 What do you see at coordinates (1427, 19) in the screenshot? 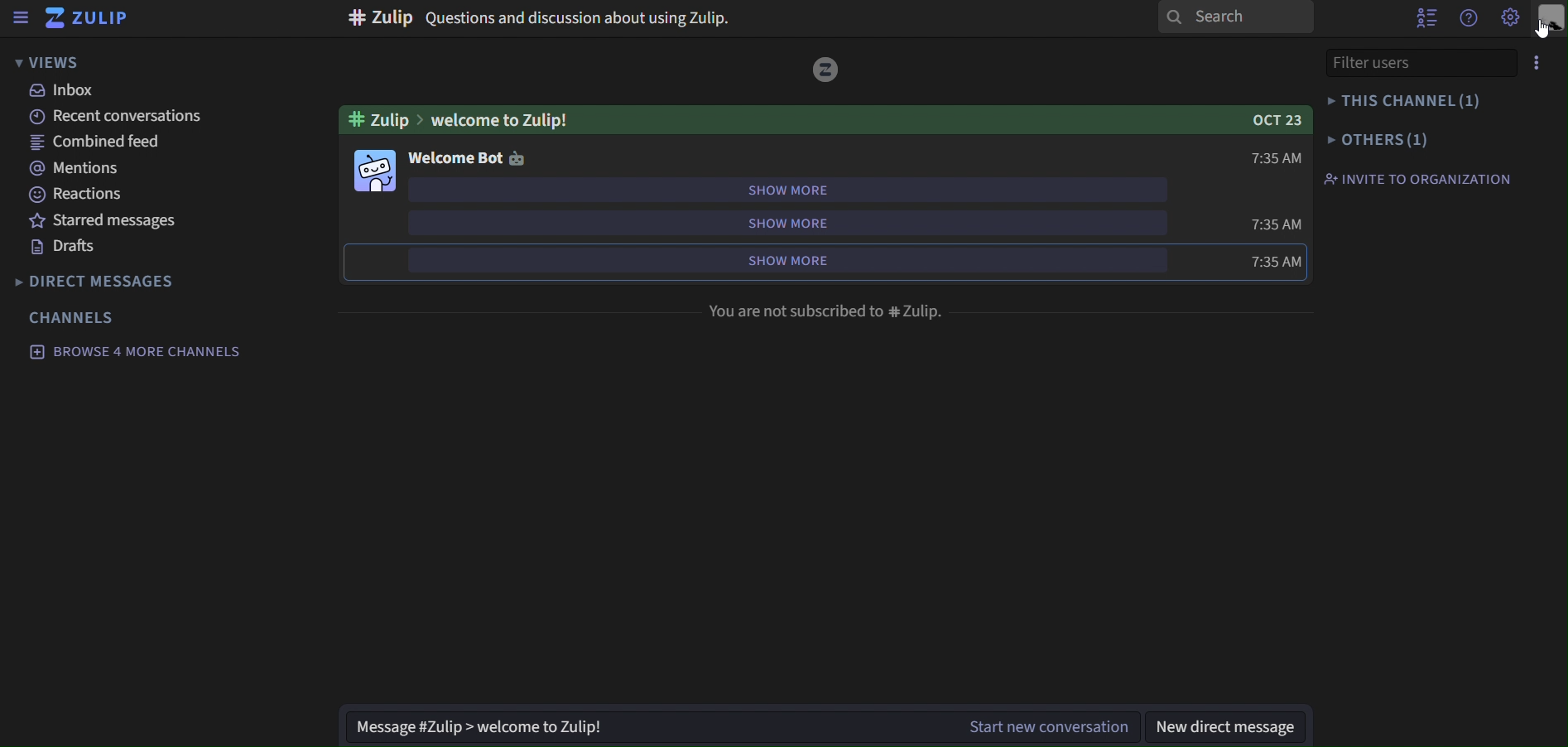
I see `hide user list` at bounding box center [1427, 19].